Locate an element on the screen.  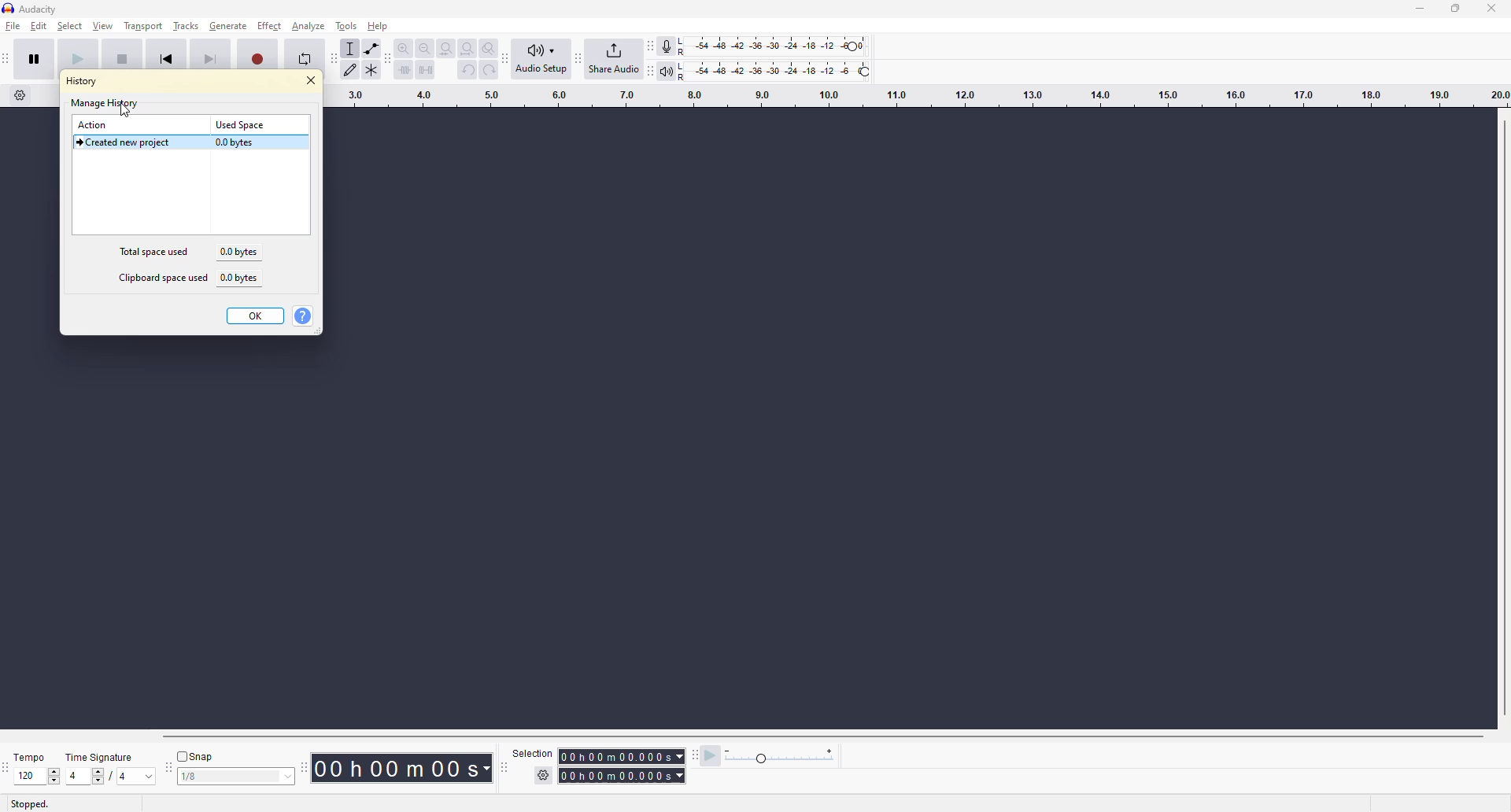
time signature is located at coordinates (106, 755).